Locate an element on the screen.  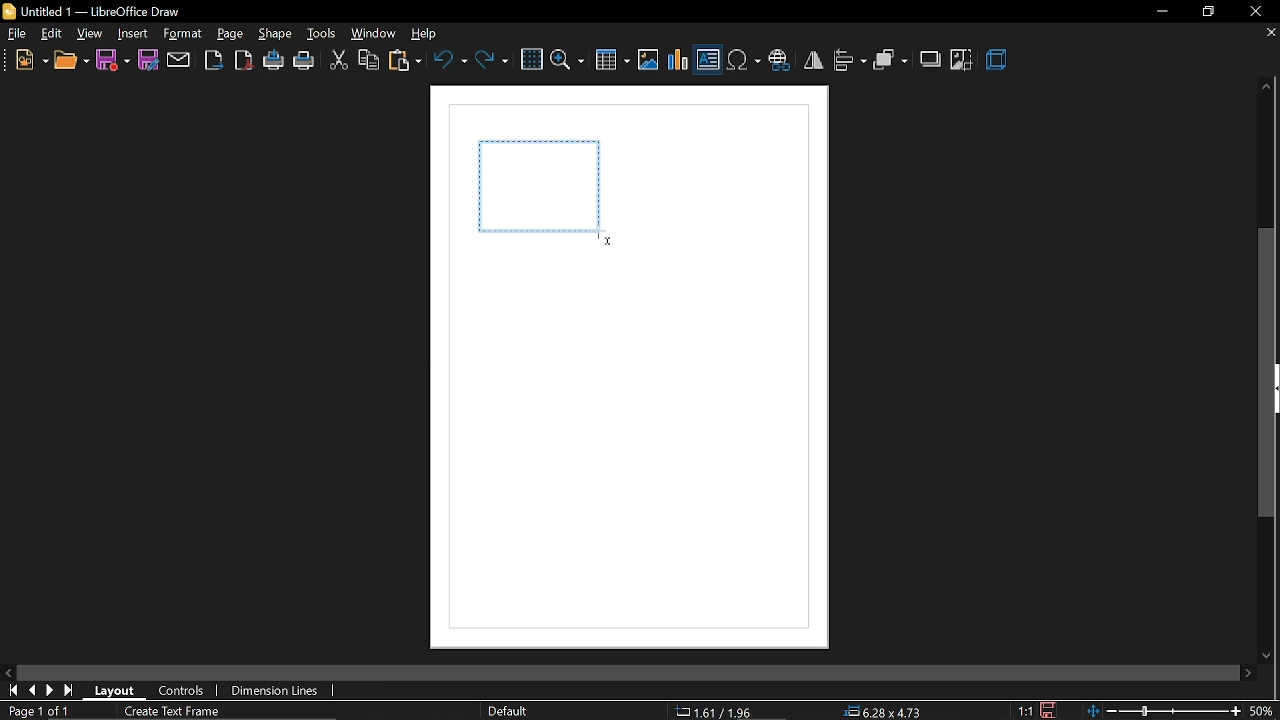
shadow is located at coordinates (932, 58).